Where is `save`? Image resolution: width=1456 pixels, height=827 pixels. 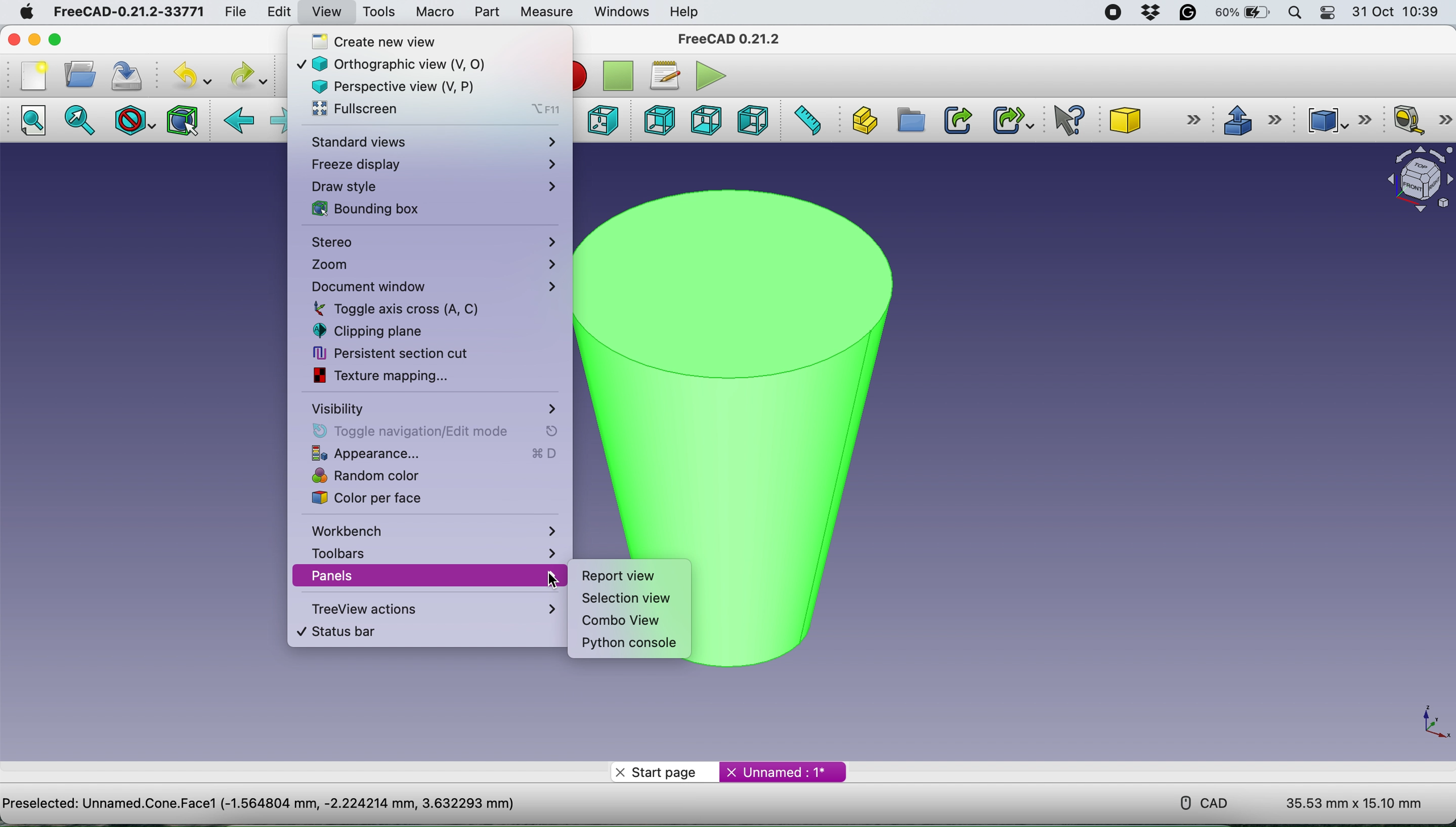 save is located at coordinates (127, 75).